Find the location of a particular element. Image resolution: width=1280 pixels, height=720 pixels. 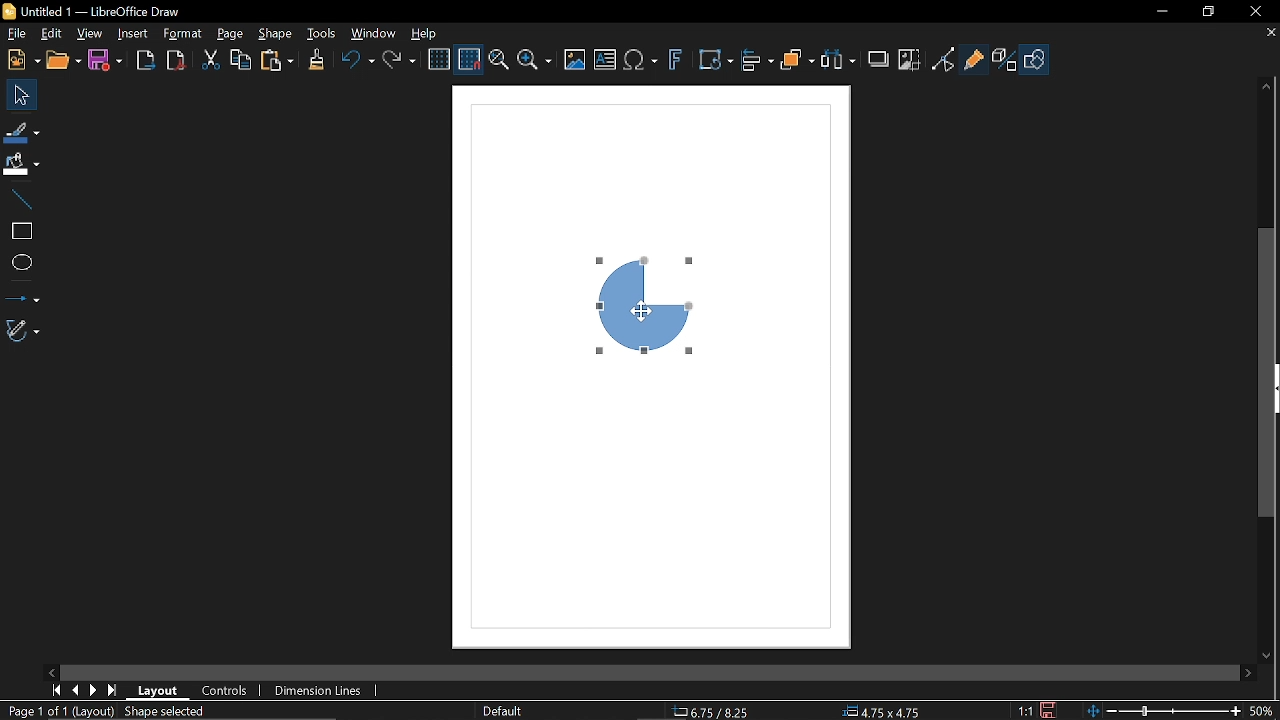

Next page is located at coordinates (94, 691).